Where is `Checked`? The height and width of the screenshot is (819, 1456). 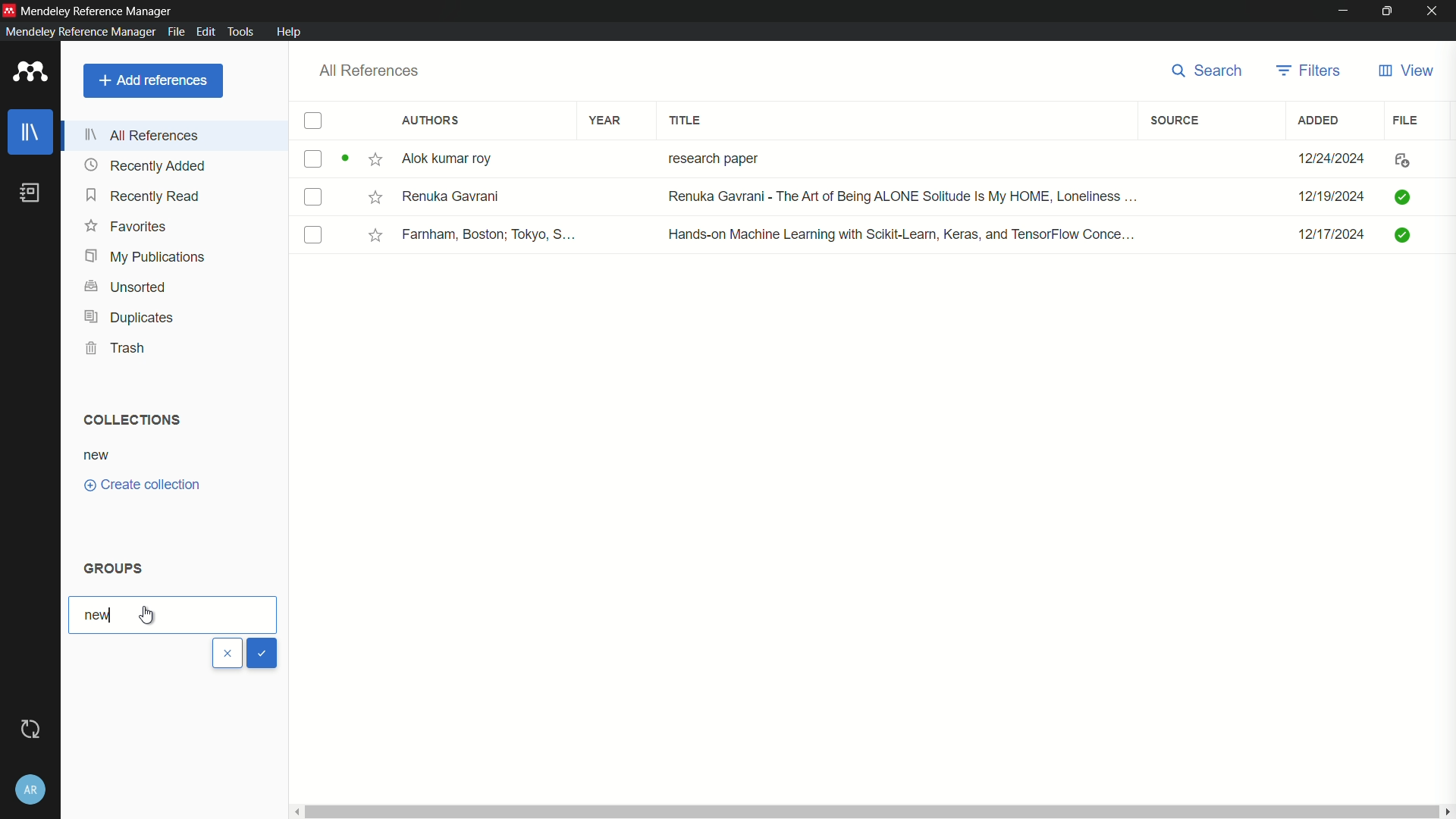
Checked is located at coordinates (1401, 196).